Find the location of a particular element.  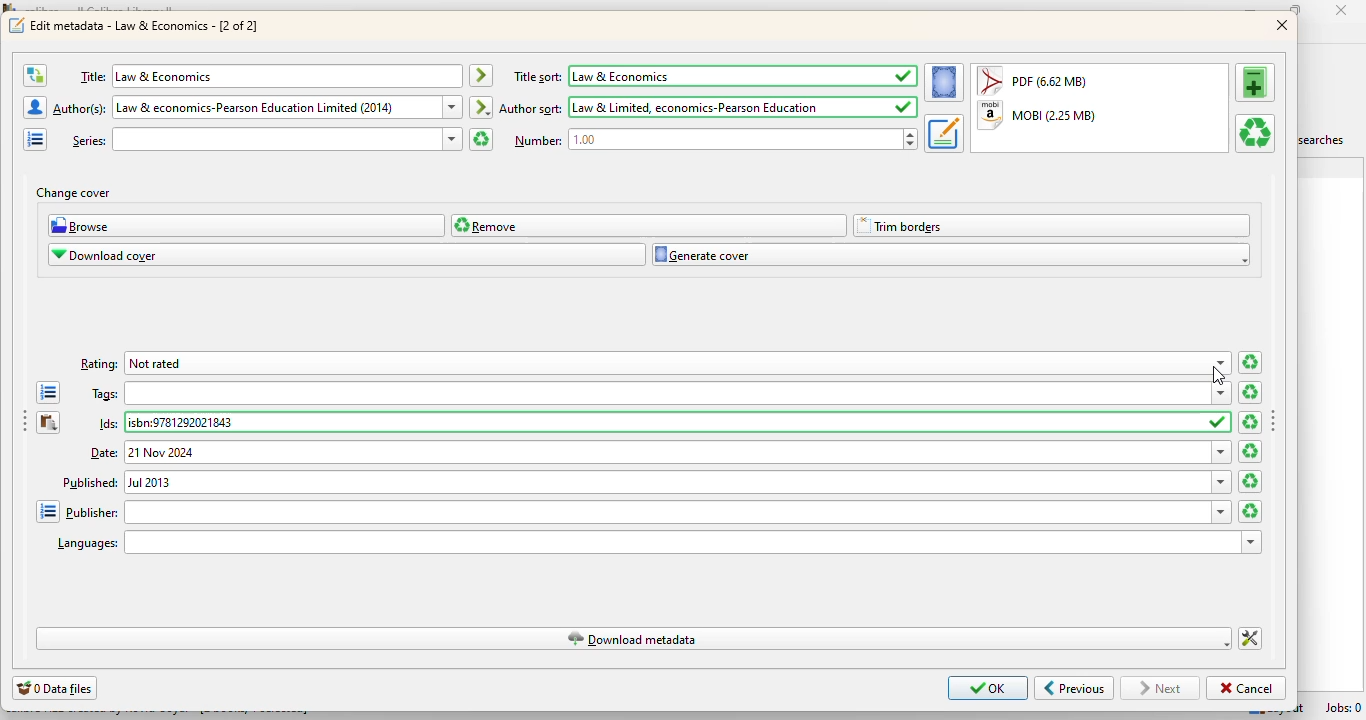

toggle sidebar is located at coordinates (1275, 422).